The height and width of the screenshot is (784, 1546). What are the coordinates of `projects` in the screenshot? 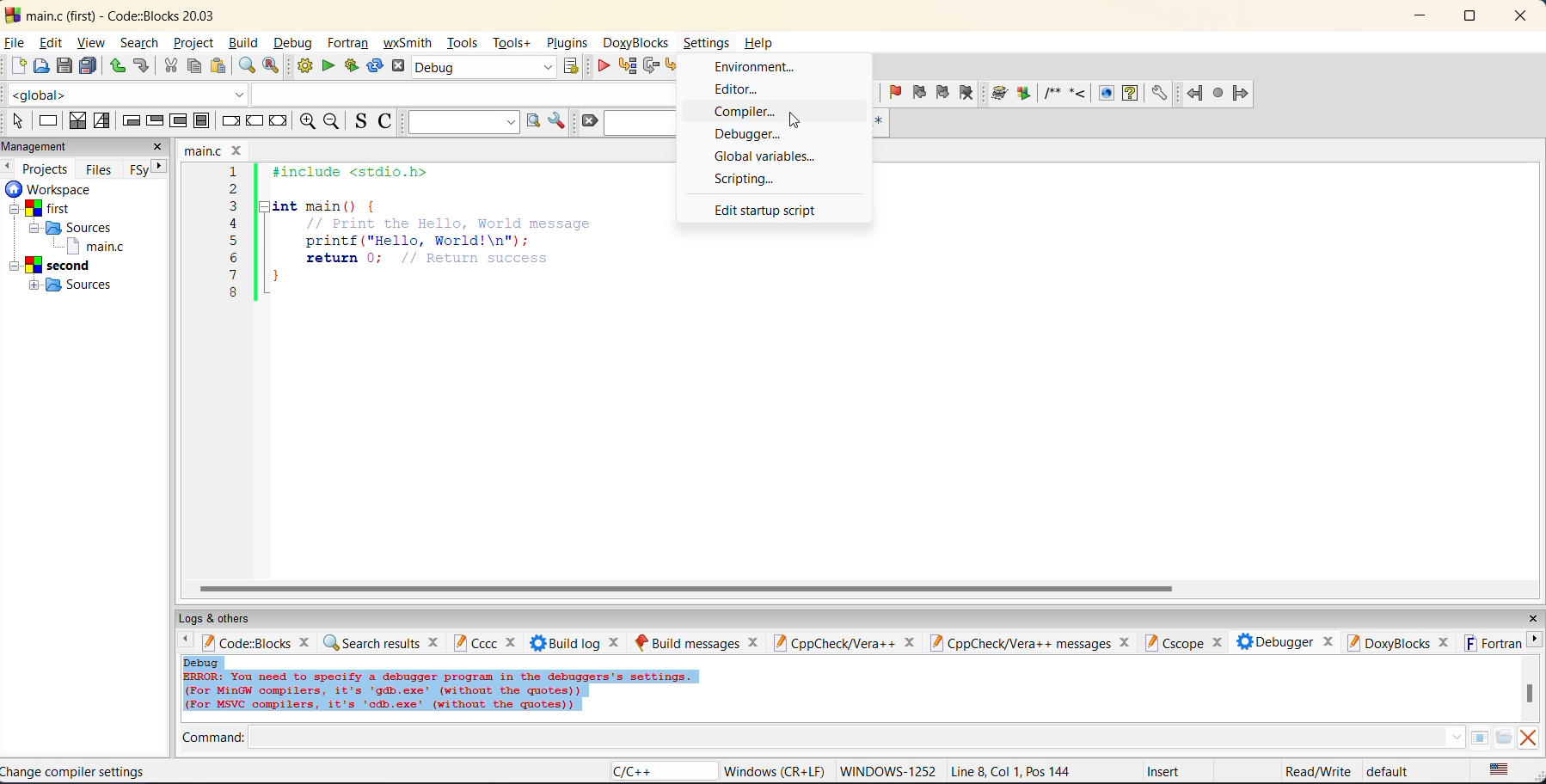 It's located at (48, 167).